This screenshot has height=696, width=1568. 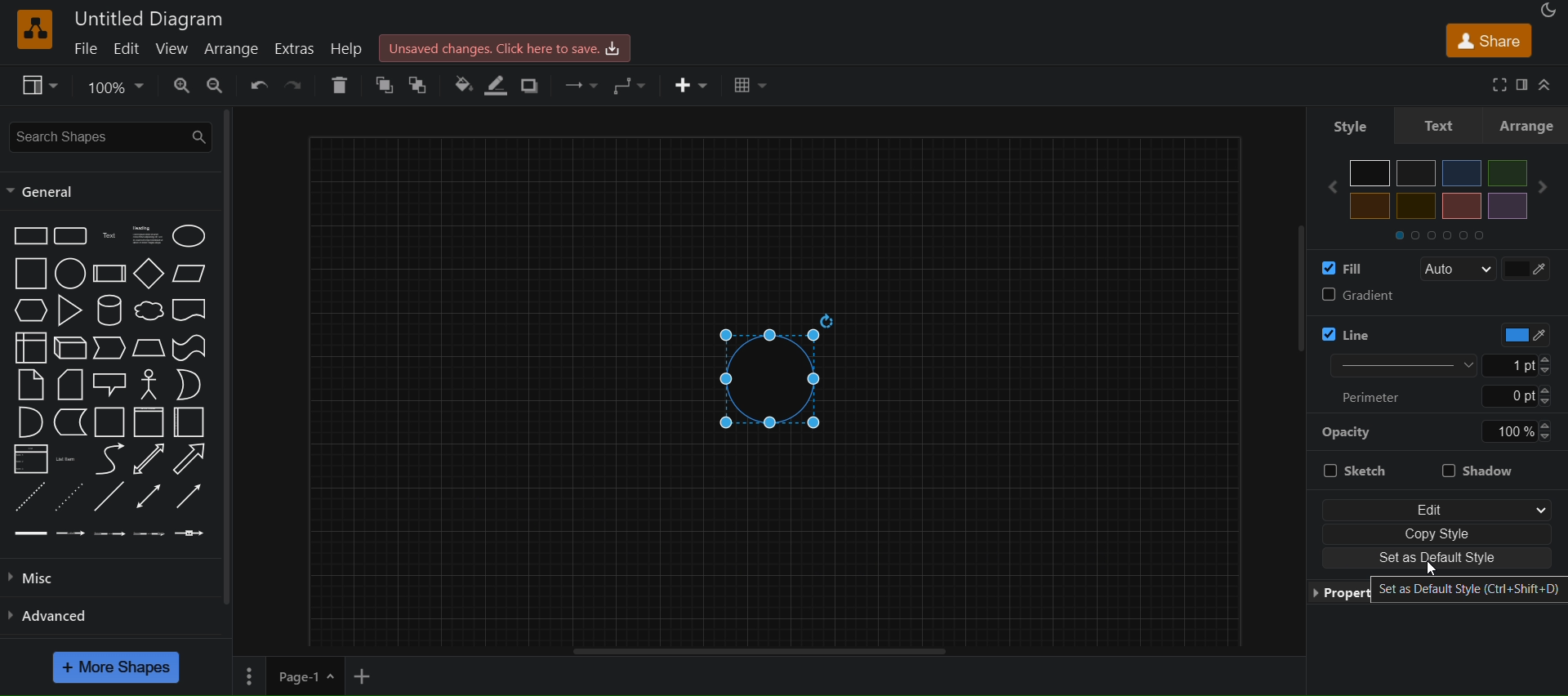 What do you see at coordinates (151, 496) in the screenshot?
I see `bidirectional connector` at bounding box center [151, 496].